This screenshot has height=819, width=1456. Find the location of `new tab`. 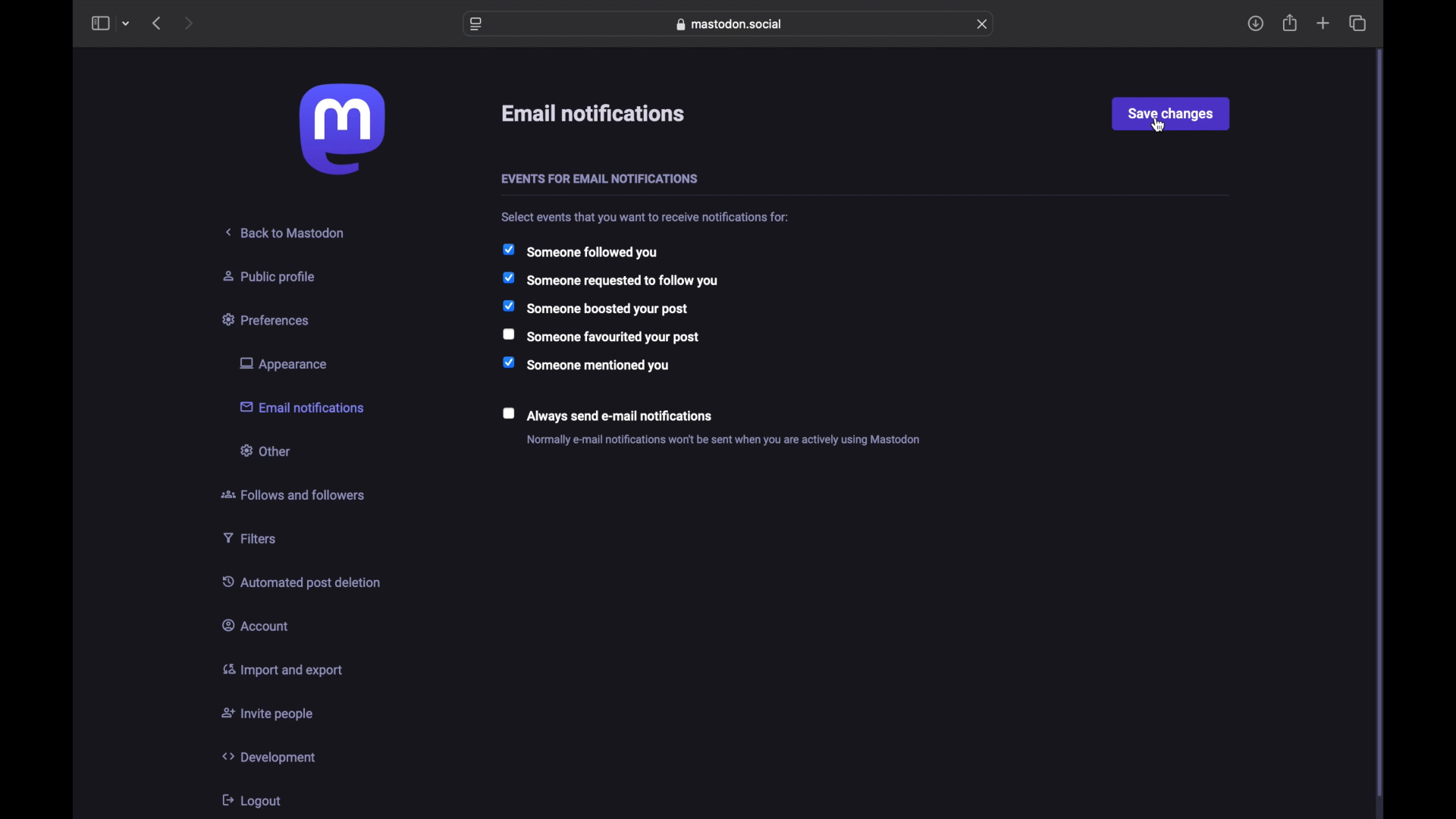

new tab is located at coordinates (1323, 24).